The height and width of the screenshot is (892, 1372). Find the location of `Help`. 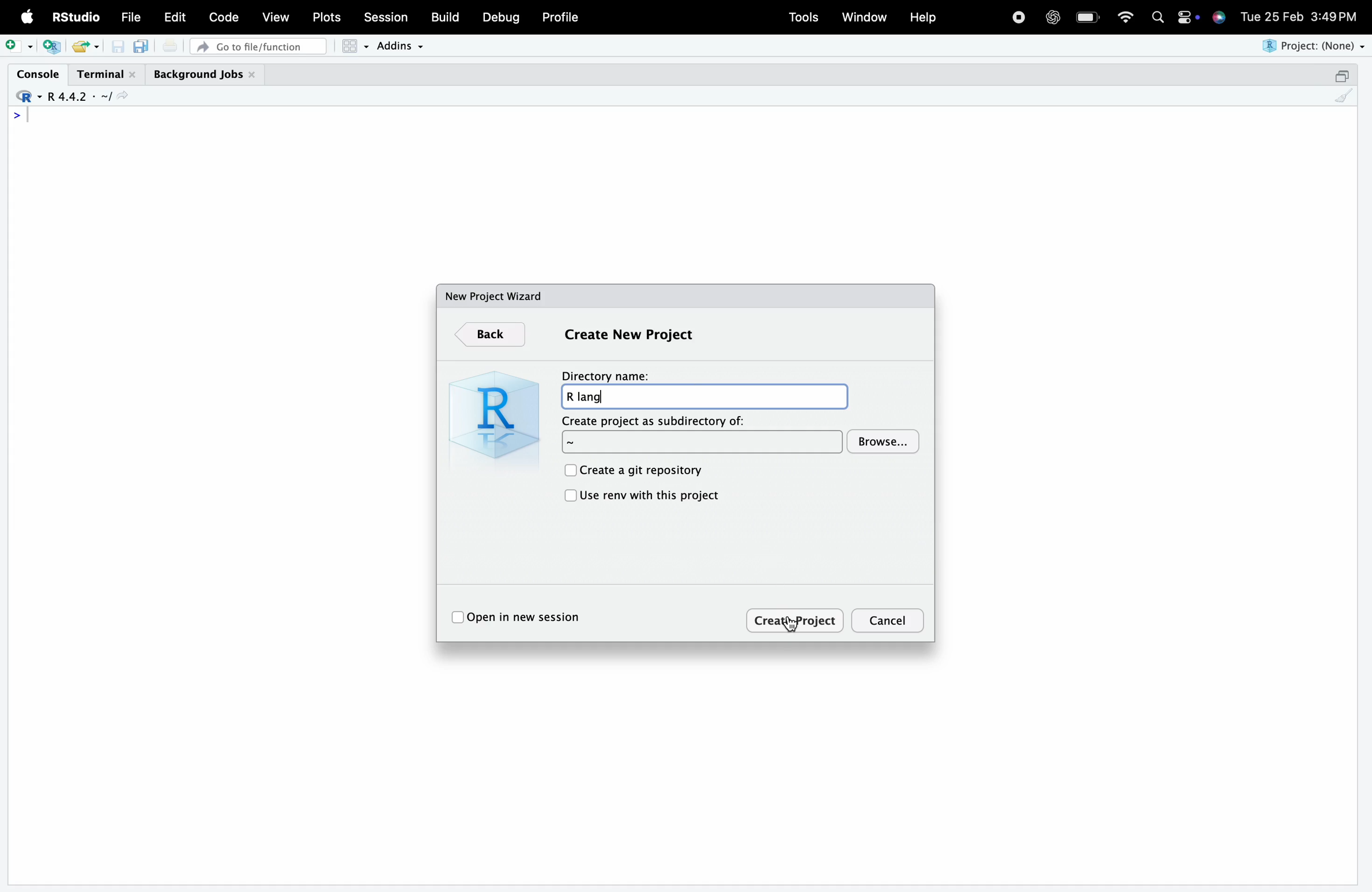

Help is located at coordinates (922, 17).